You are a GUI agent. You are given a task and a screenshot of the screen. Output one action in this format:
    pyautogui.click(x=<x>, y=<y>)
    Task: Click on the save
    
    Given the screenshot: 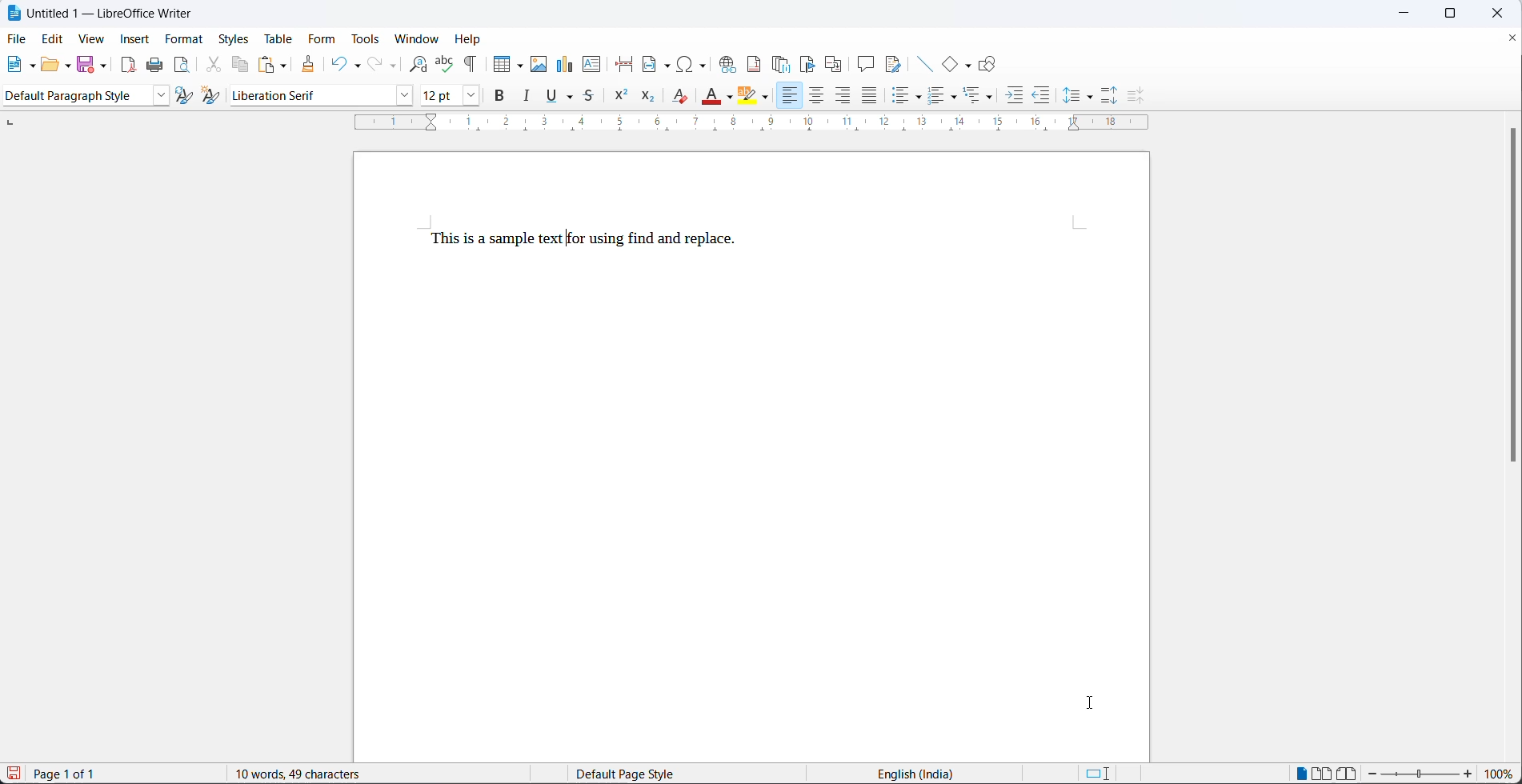 What is the action you would take?
    pyautogui.click(x=14, y=773)
    